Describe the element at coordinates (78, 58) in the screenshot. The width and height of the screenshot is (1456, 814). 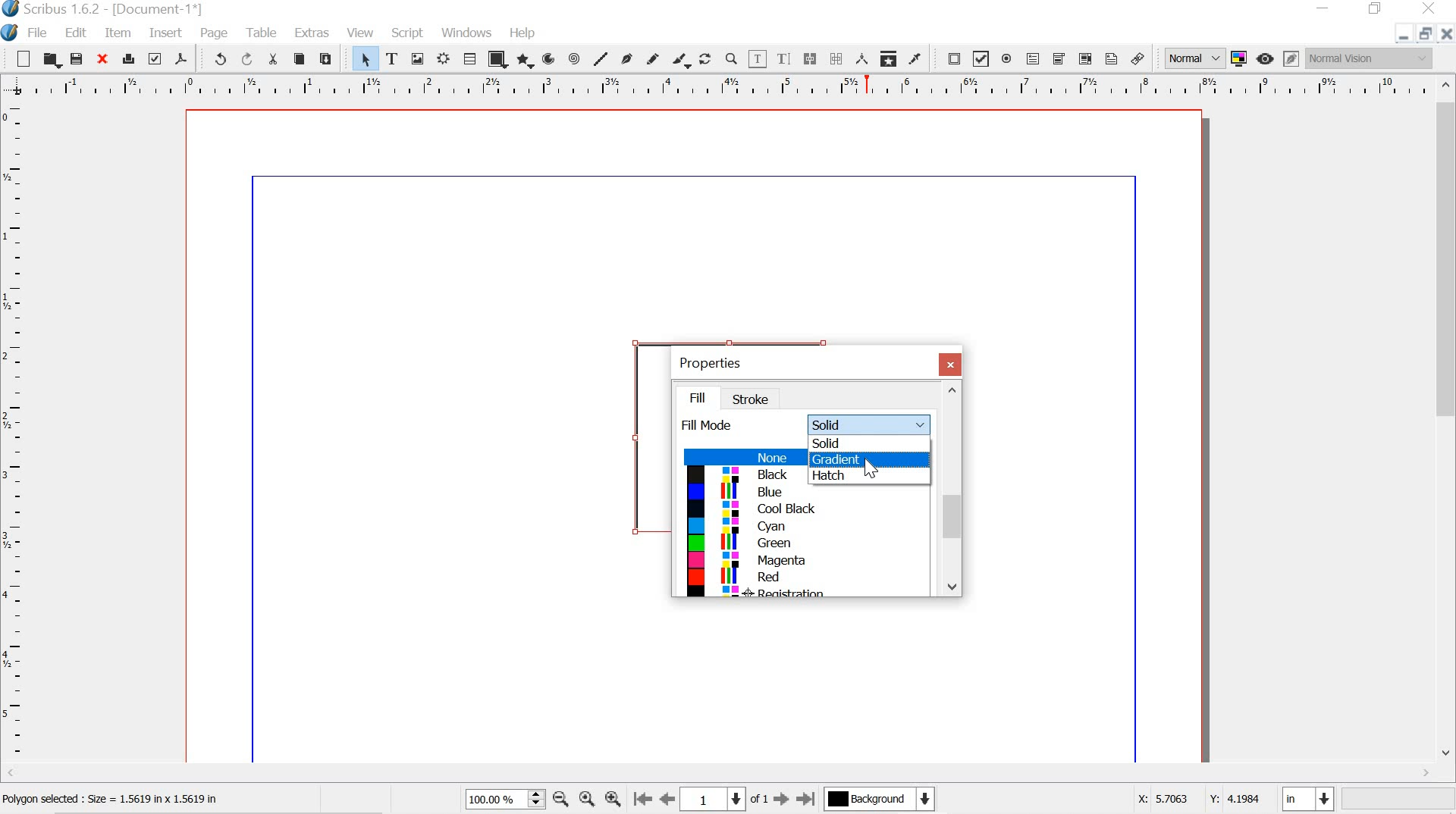
I see `save` at that location.